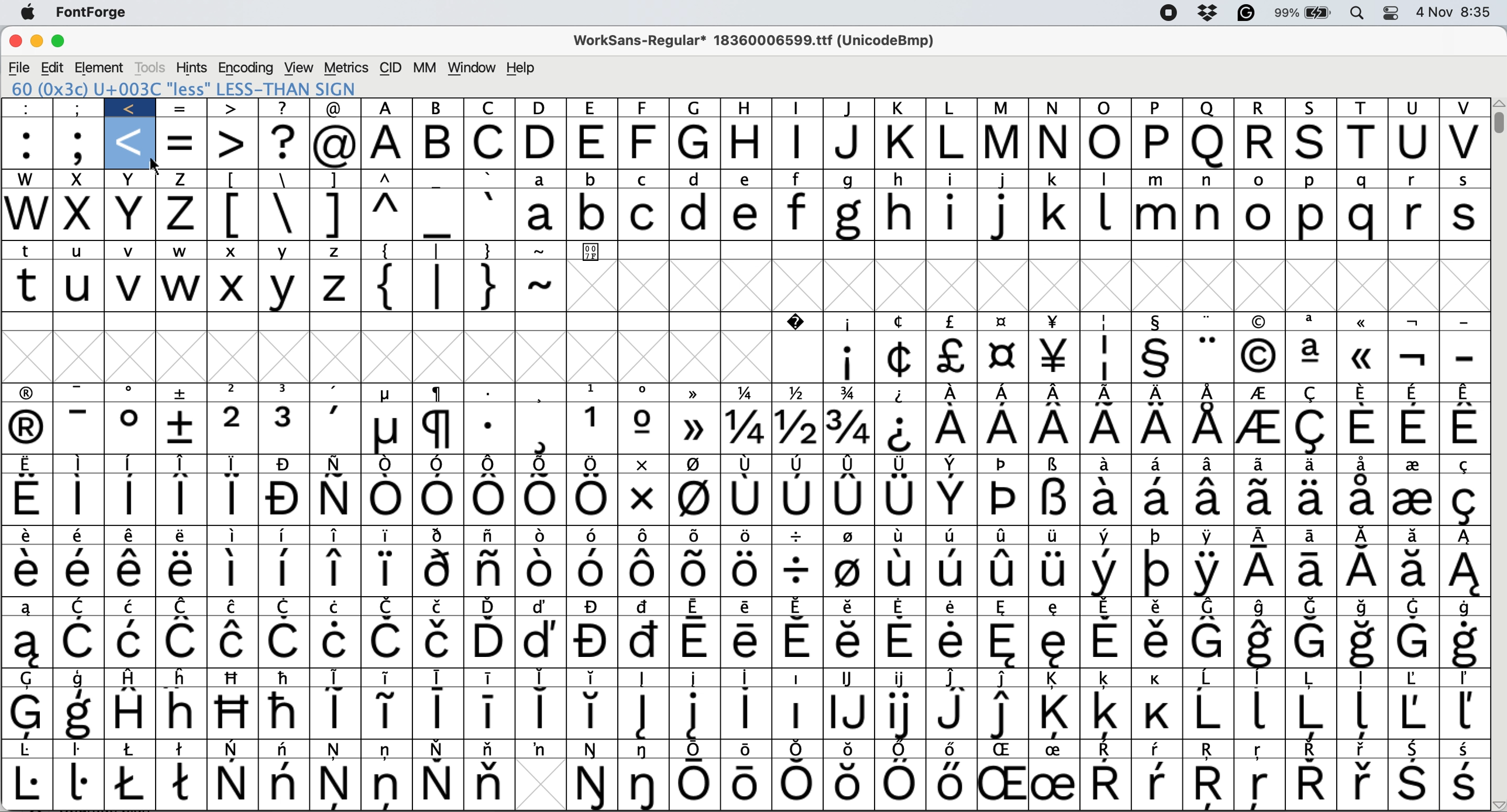 The image size is (1507, 812). Describe the element at coordinates (949, 642) in the screenshot. I see `` at that location.